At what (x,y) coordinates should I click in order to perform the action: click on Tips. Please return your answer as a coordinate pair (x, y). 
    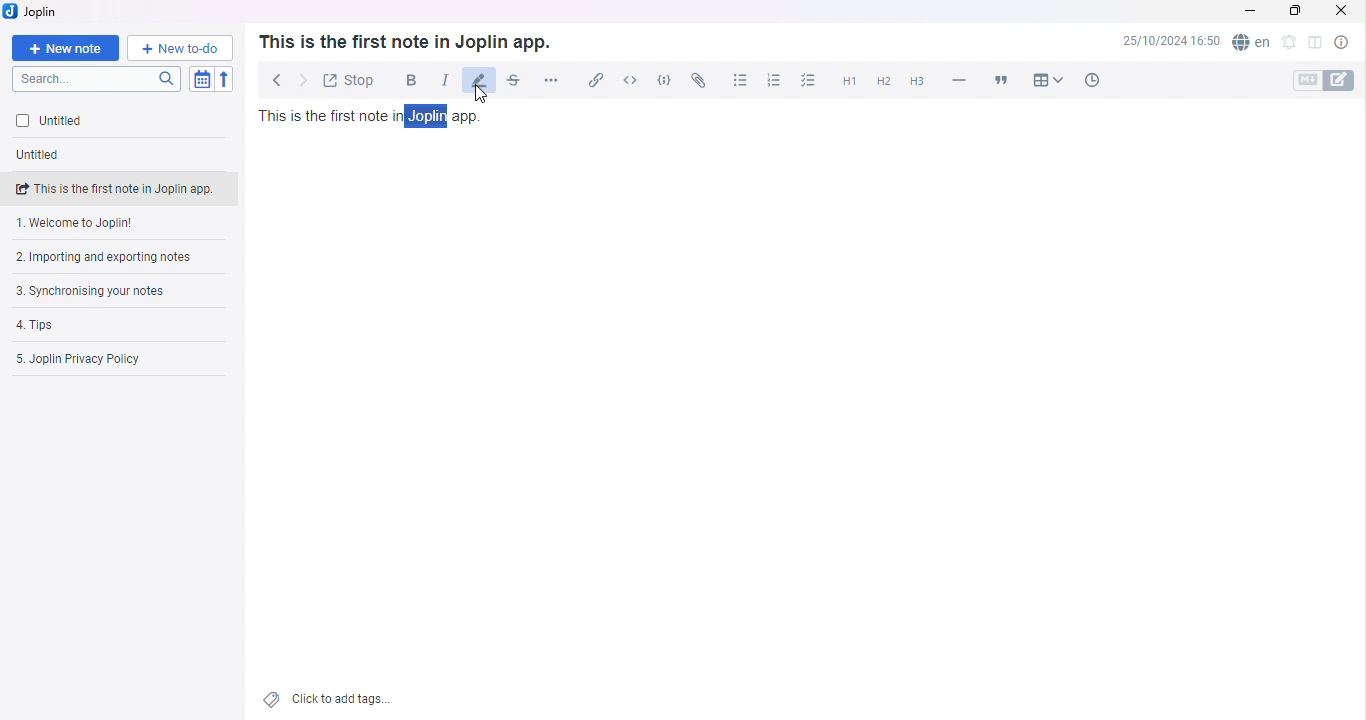
    Looking at the image, I should click on (94, 325).